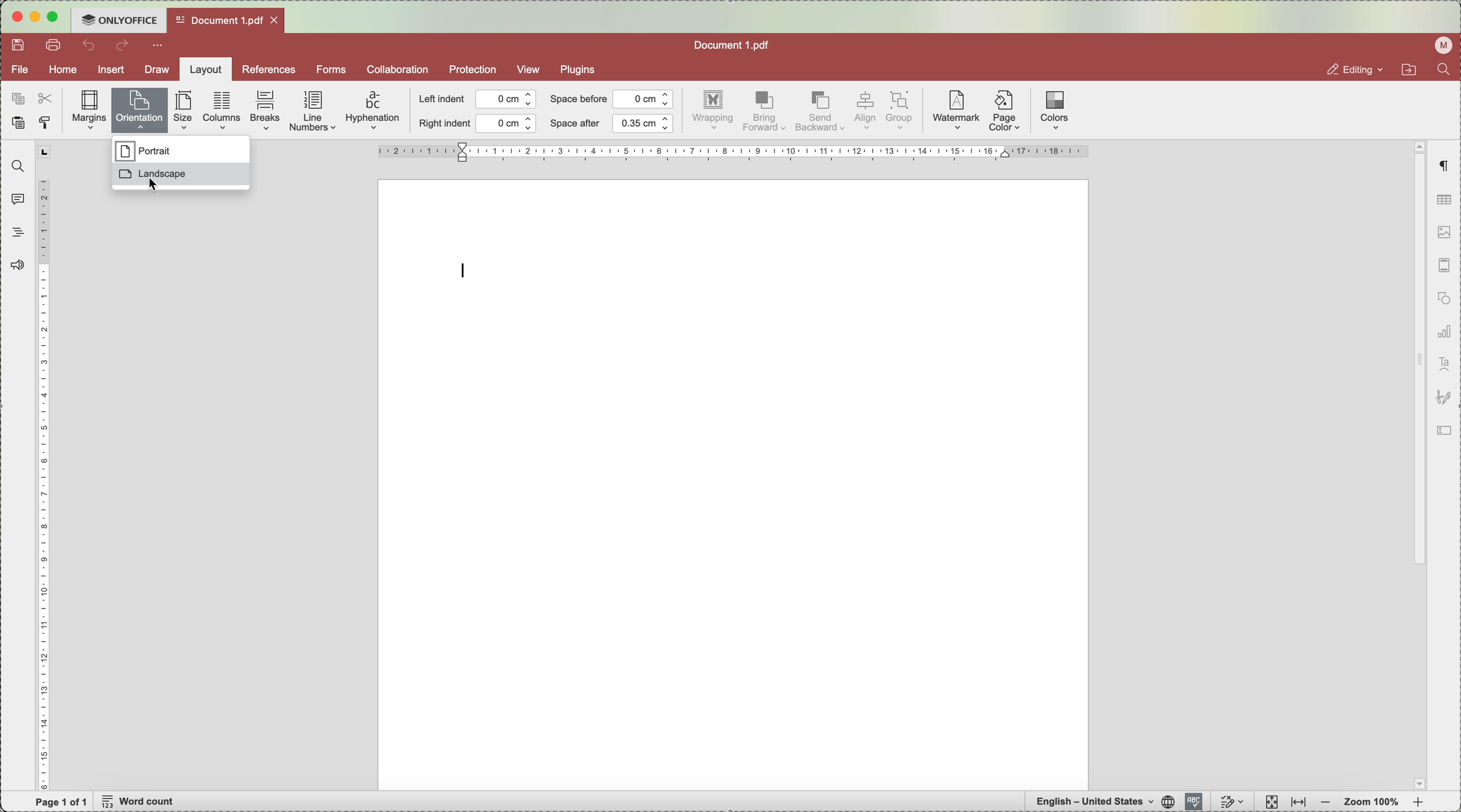 This screenshot has width=1461, height=812. Describe the element at coordinates (1193, 801) in the screenshot. I see `spelling activated` at that location.